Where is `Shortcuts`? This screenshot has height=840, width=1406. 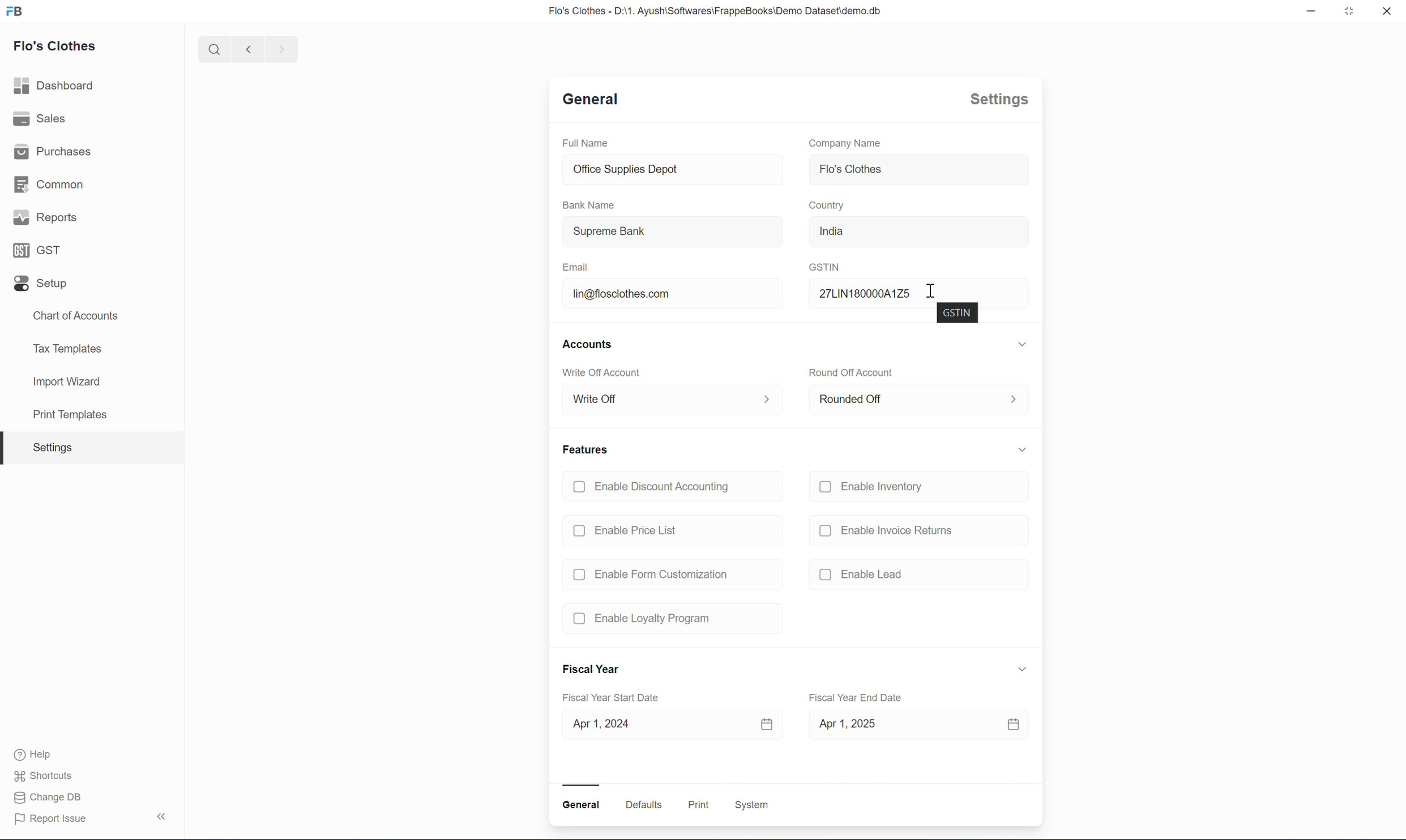
Shortcuts is located at coordinates (45, 775).